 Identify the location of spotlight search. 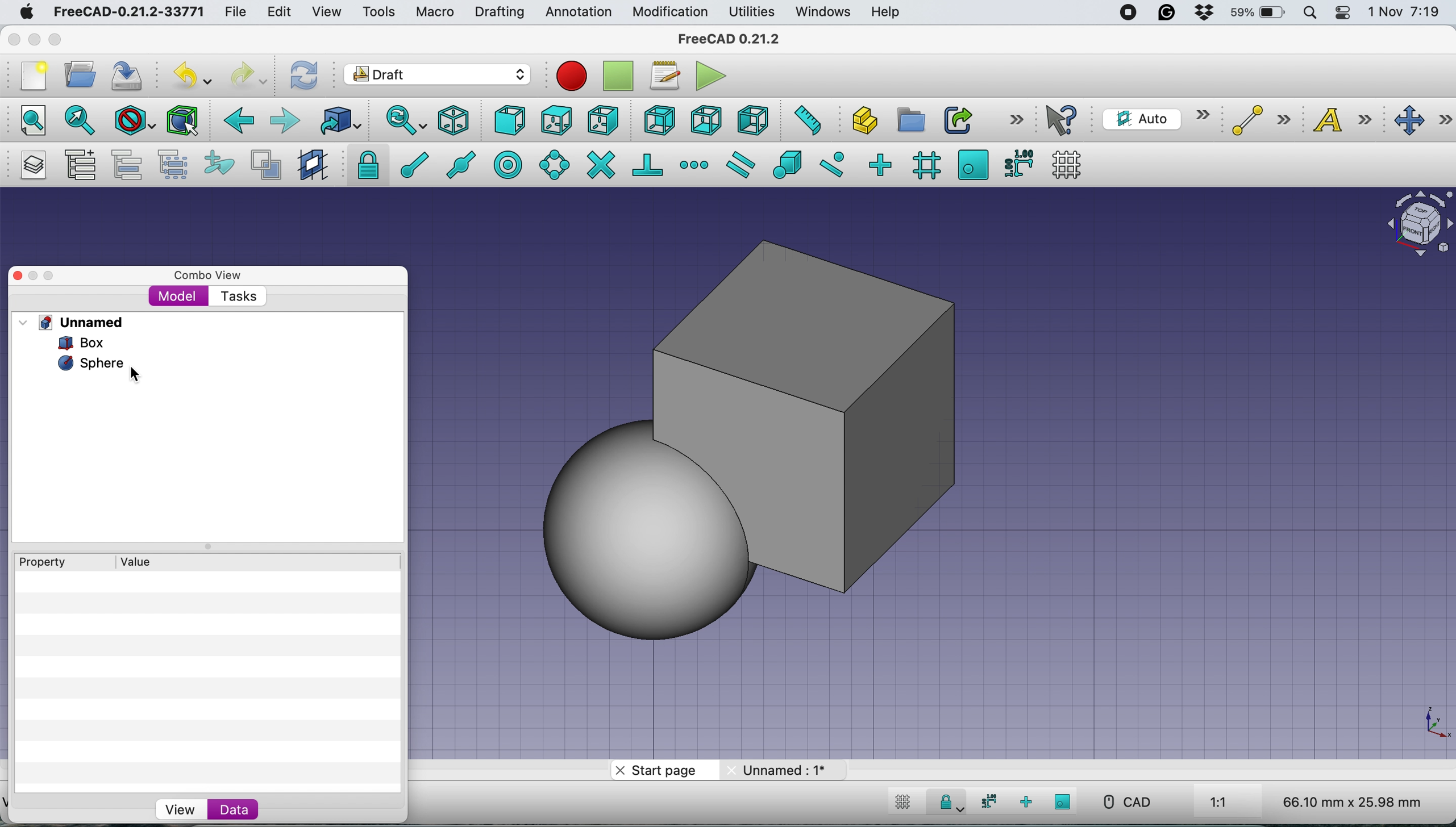
(1308, 14).